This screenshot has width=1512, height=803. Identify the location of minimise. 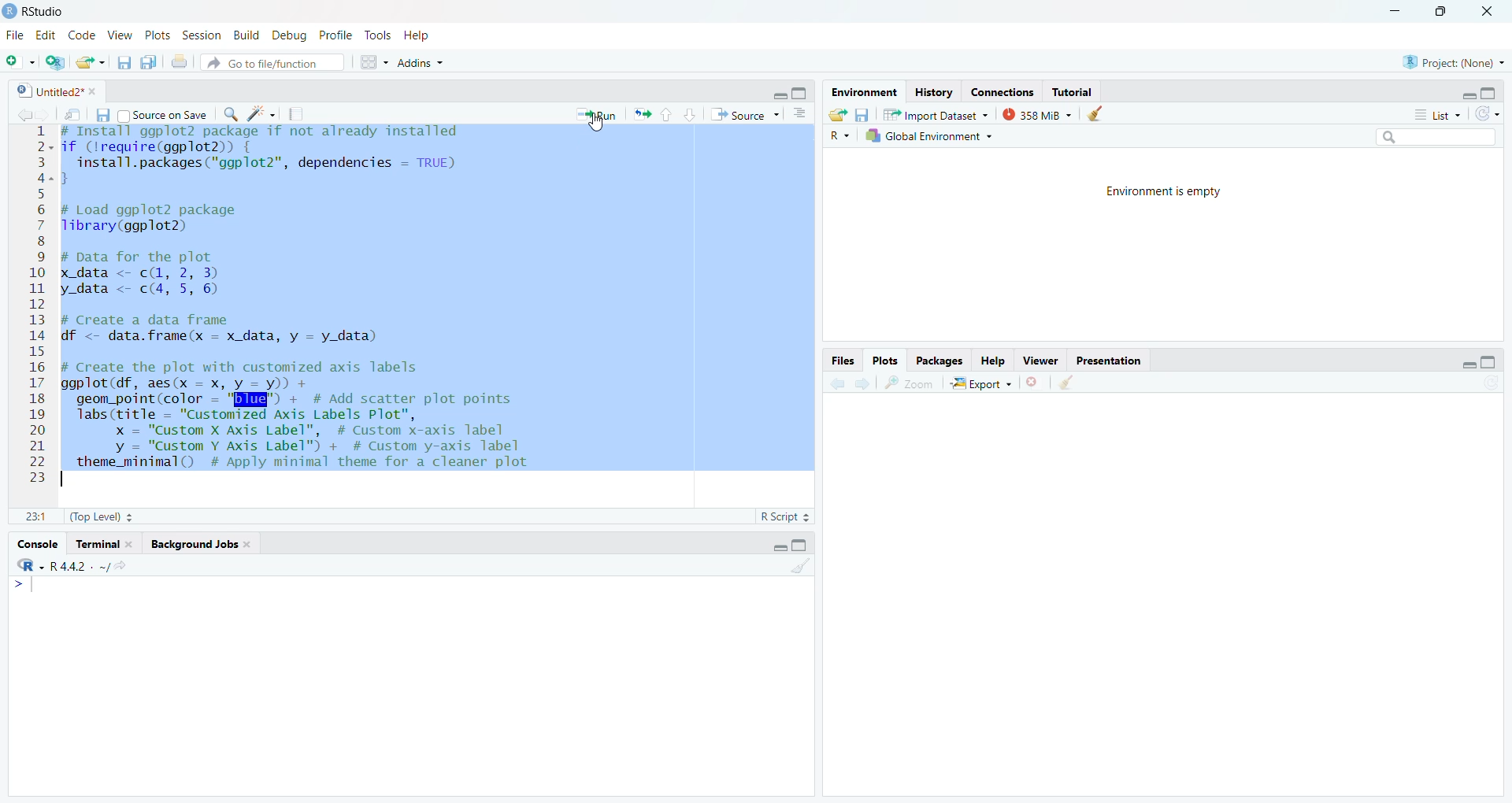
(775, 545).